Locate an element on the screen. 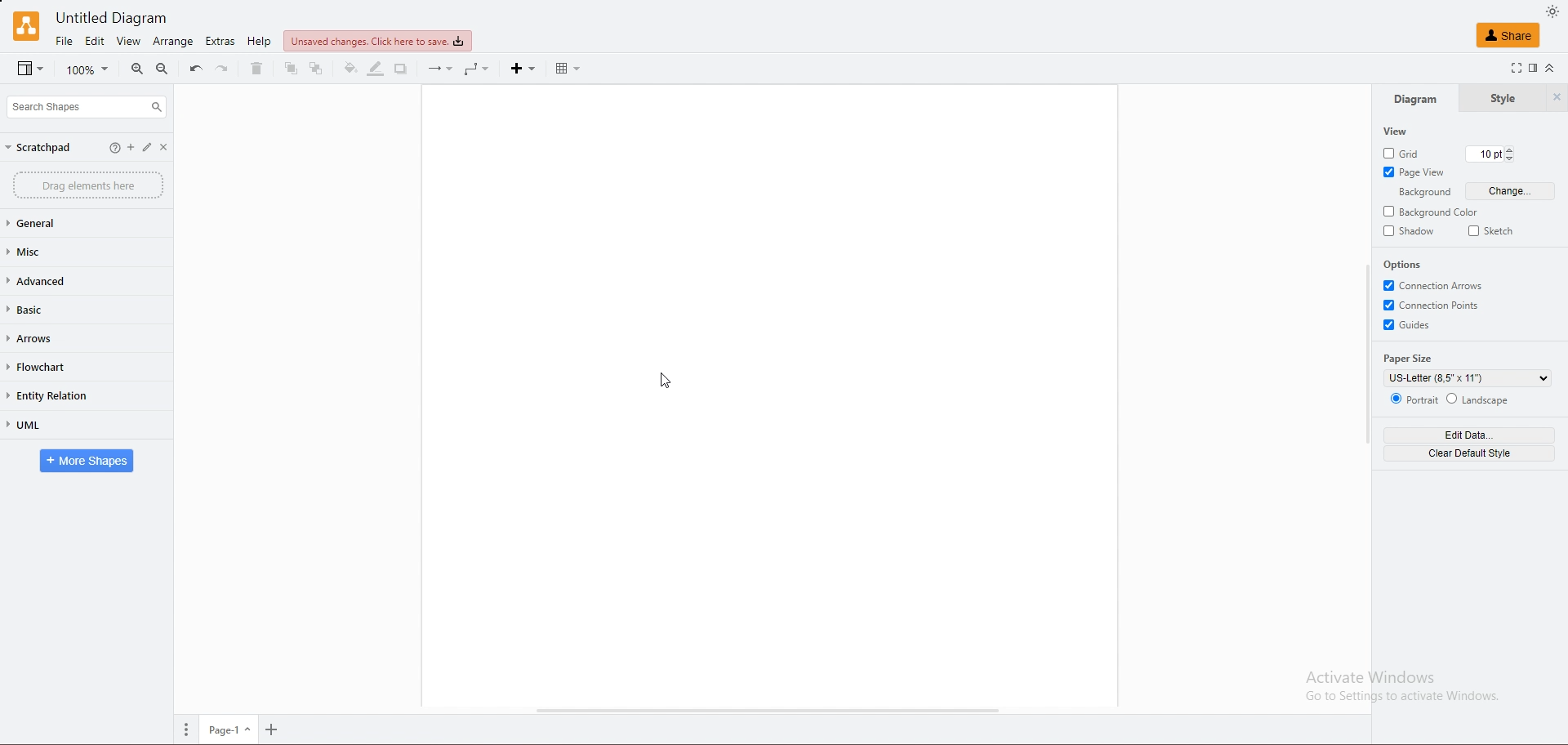 The height and width of the screenshot is (745, 1568). edit data is located at coordinates (1471, 435).